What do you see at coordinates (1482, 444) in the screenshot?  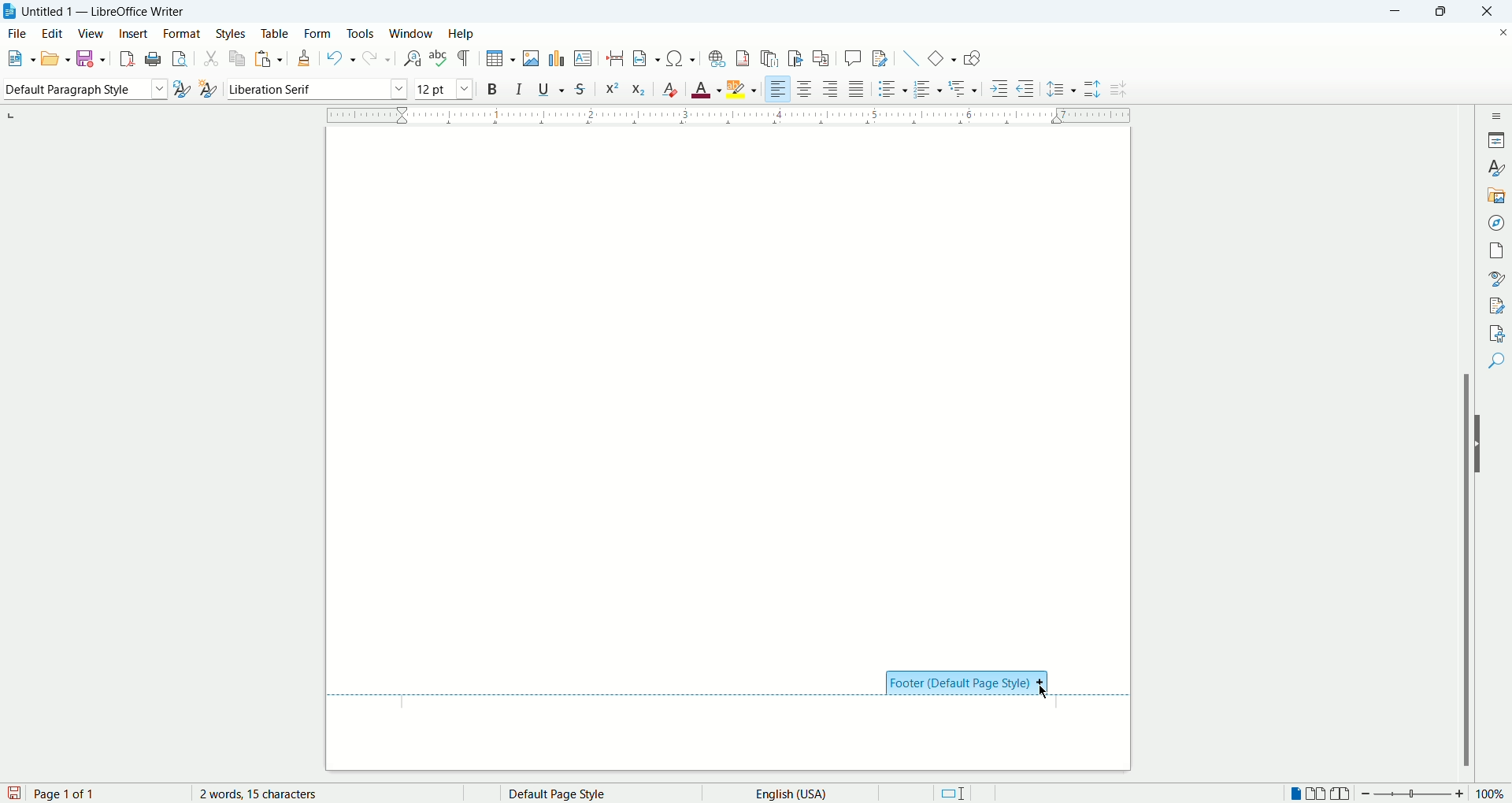 I see `hide` at bounding box center [1482, 444].